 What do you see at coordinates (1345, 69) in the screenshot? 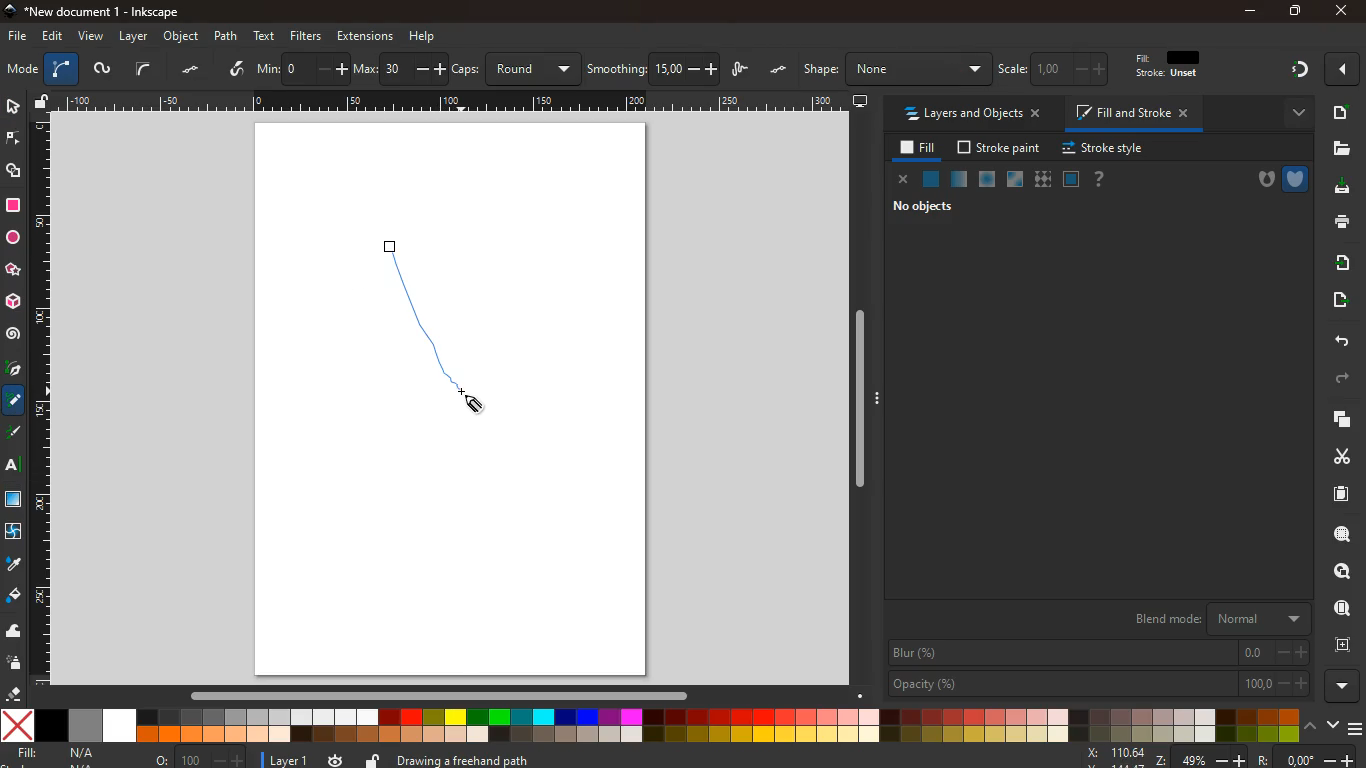
I see `more` at bounding box center [1345, 69].